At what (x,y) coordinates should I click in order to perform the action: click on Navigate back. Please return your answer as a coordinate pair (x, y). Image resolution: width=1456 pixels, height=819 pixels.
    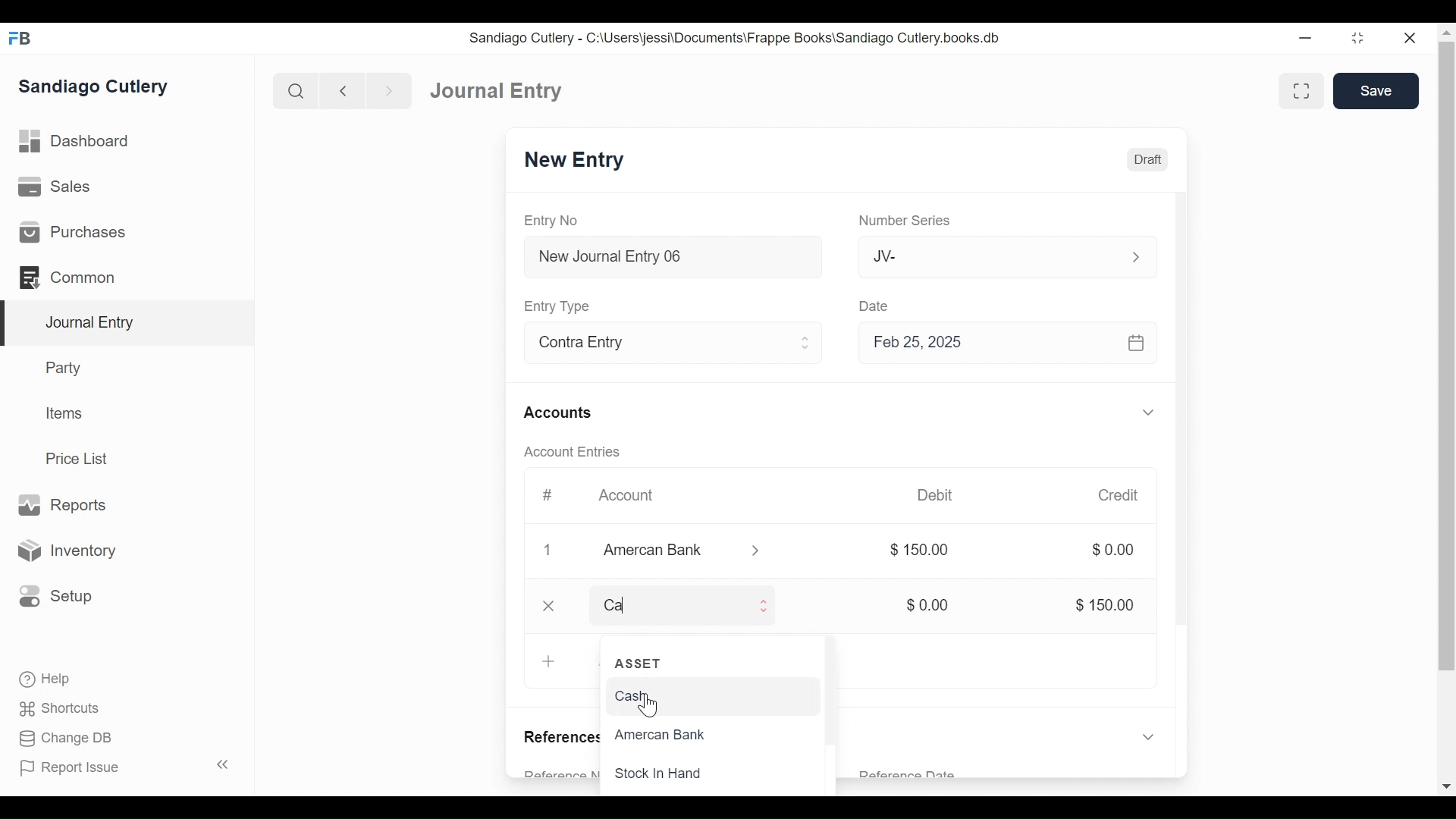
    Looking at the image, I should click on (343, 93).